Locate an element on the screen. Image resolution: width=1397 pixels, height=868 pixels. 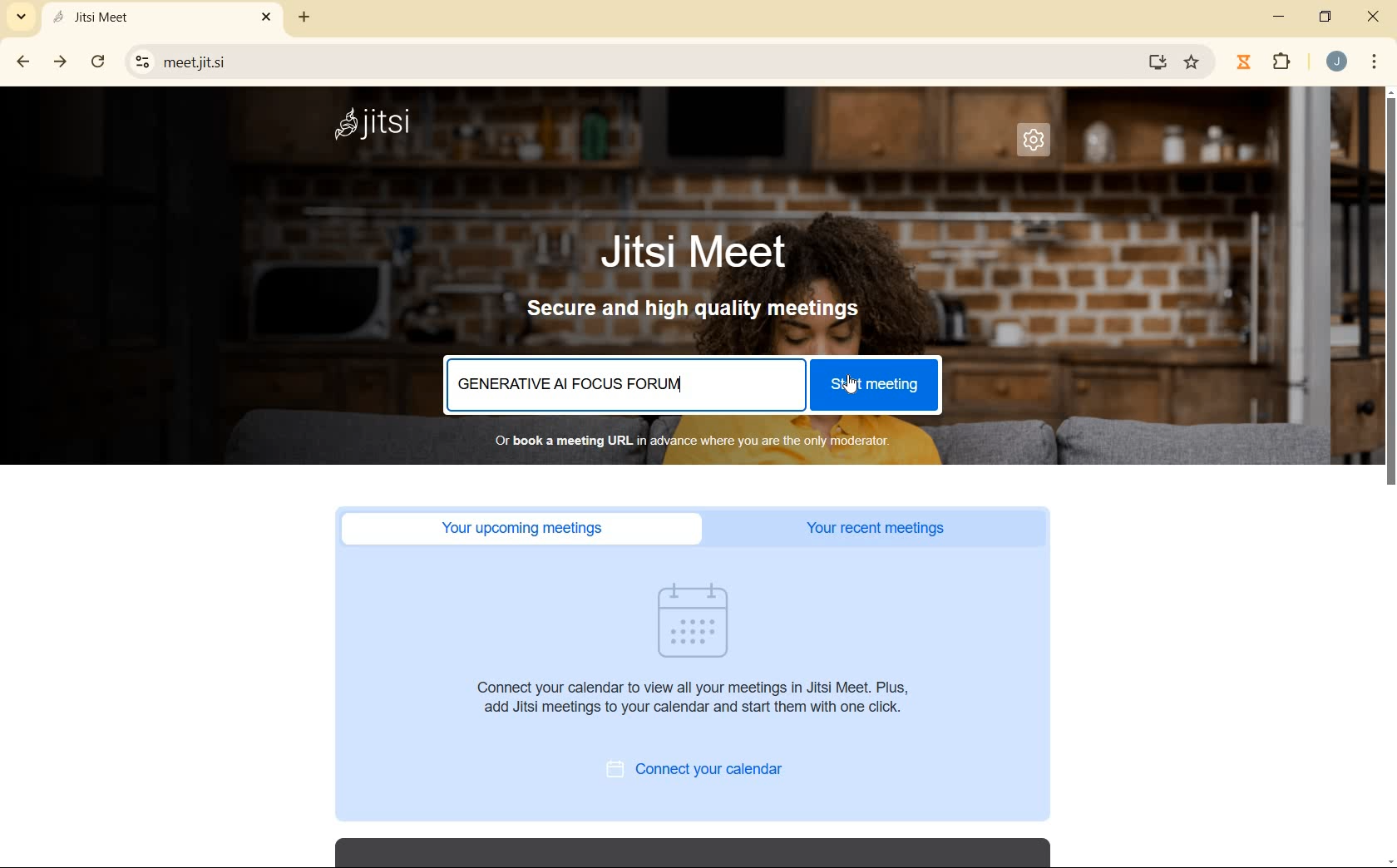
SCROLLBAR is located at coordinates (1392, 478).